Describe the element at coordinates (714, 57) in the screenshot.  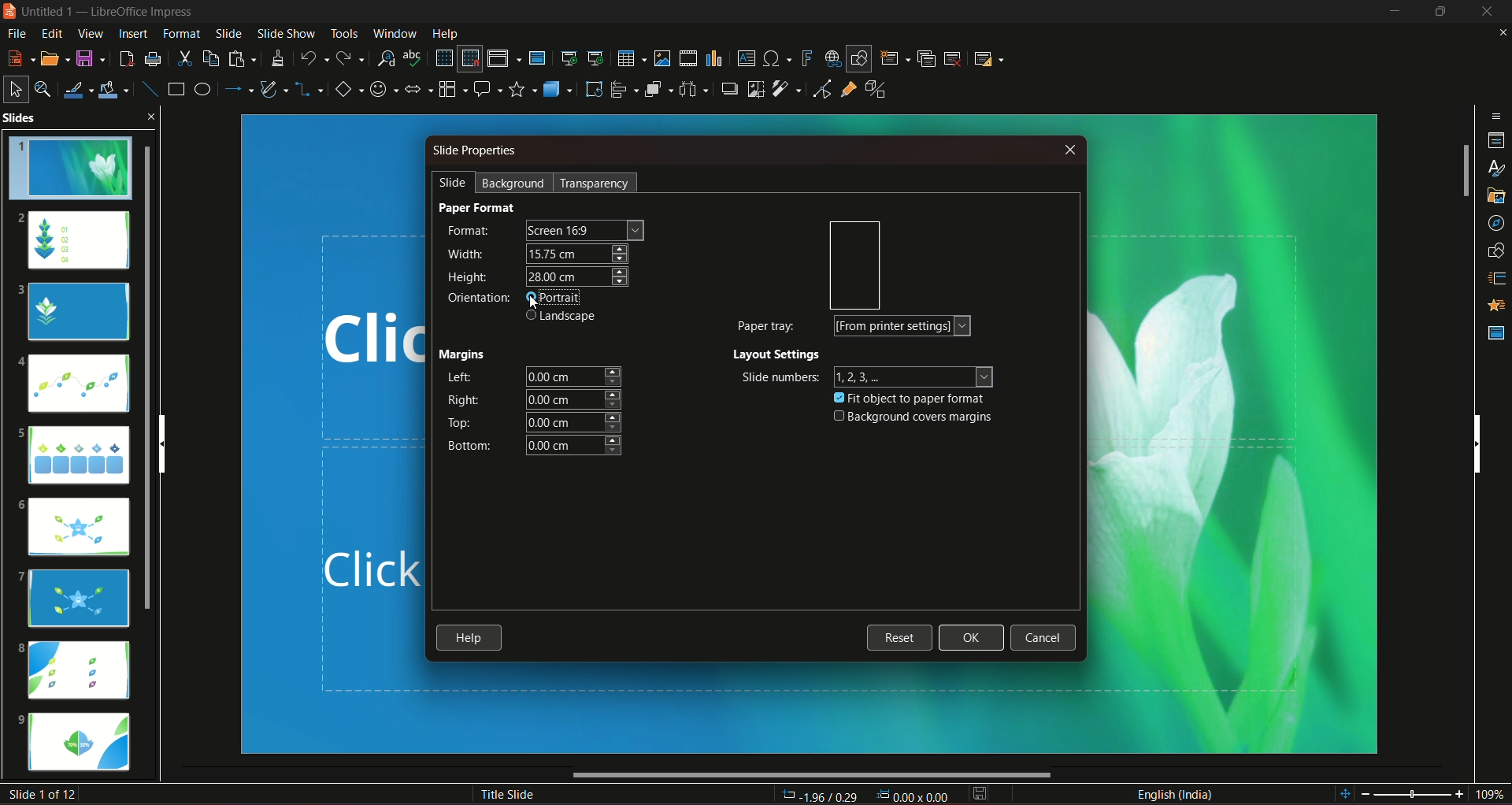
I see `insert chart` at that location.